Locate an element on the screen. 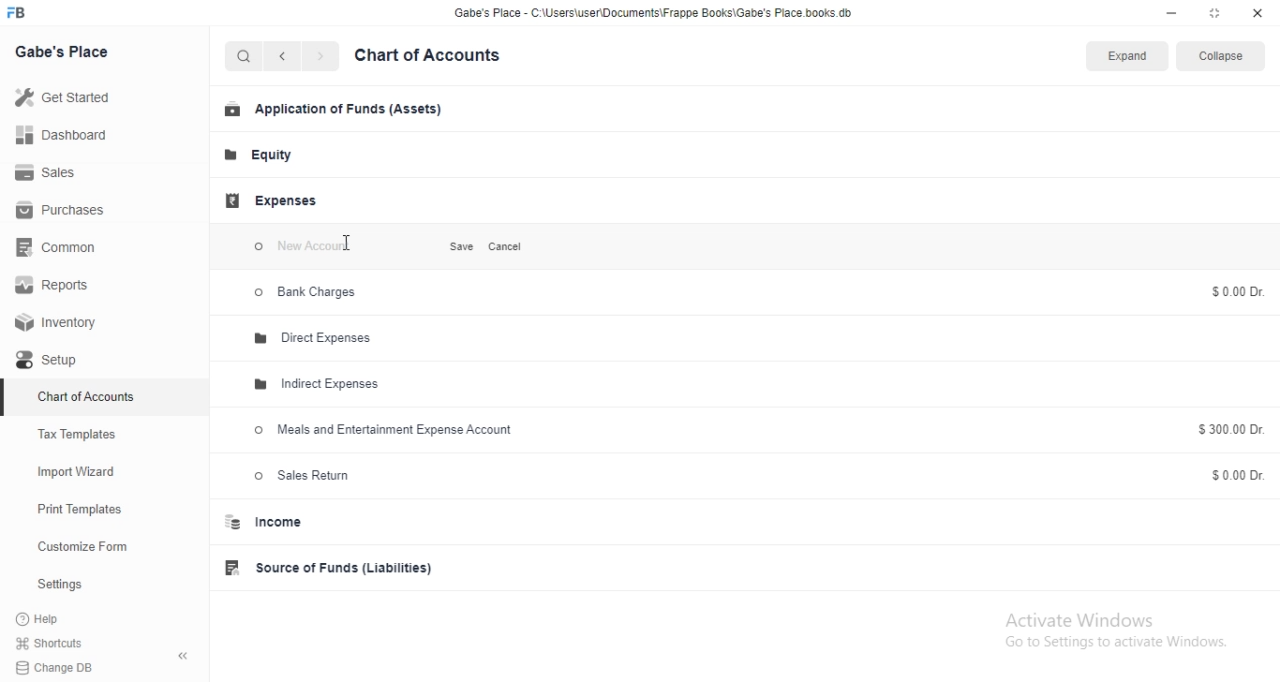 Image resolution: width=1280 pixels, height=682 pixels. FB is located at coordinates (29, 13).